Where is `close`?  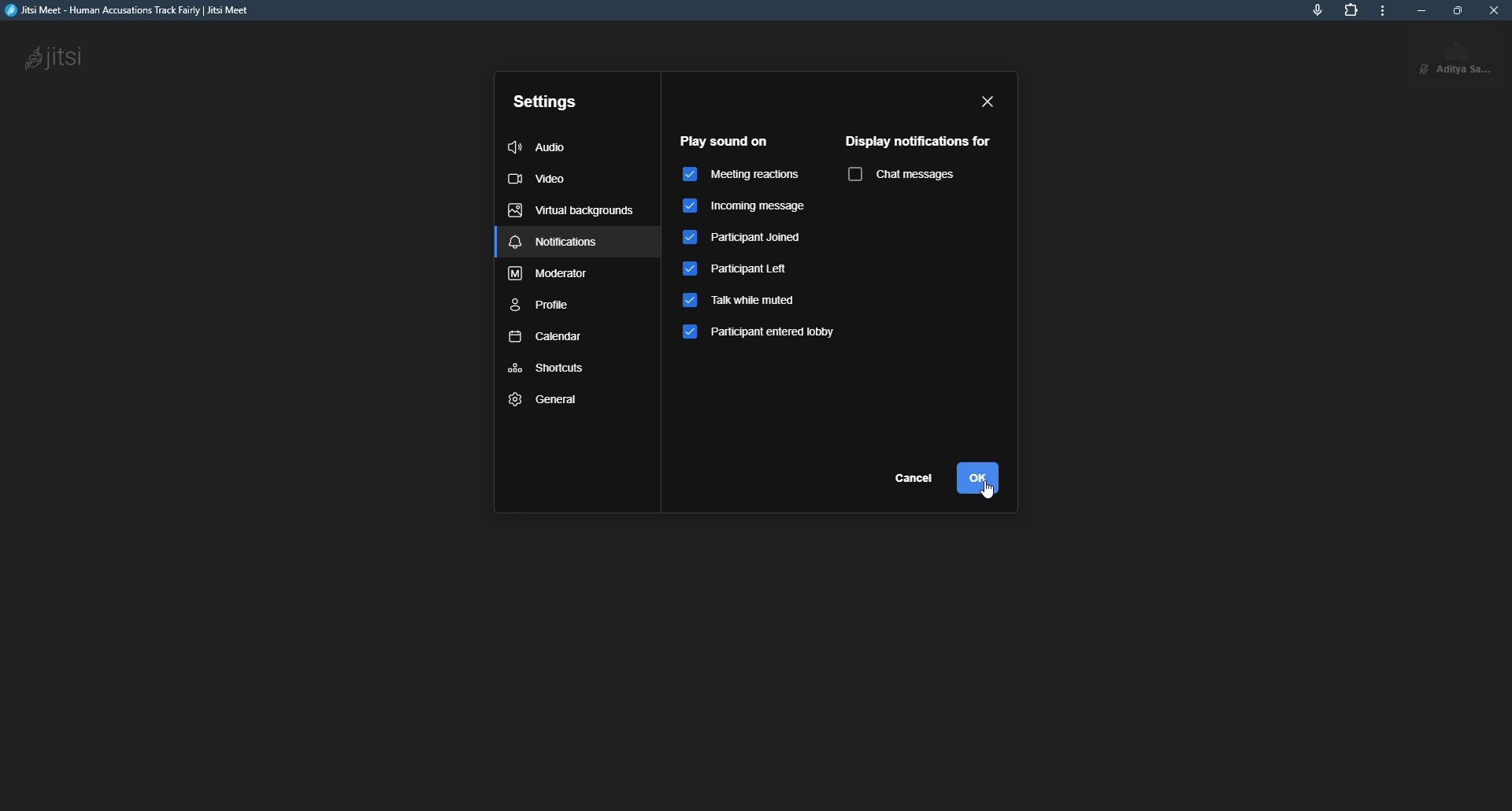 close is located at coordinates (1494, 13).